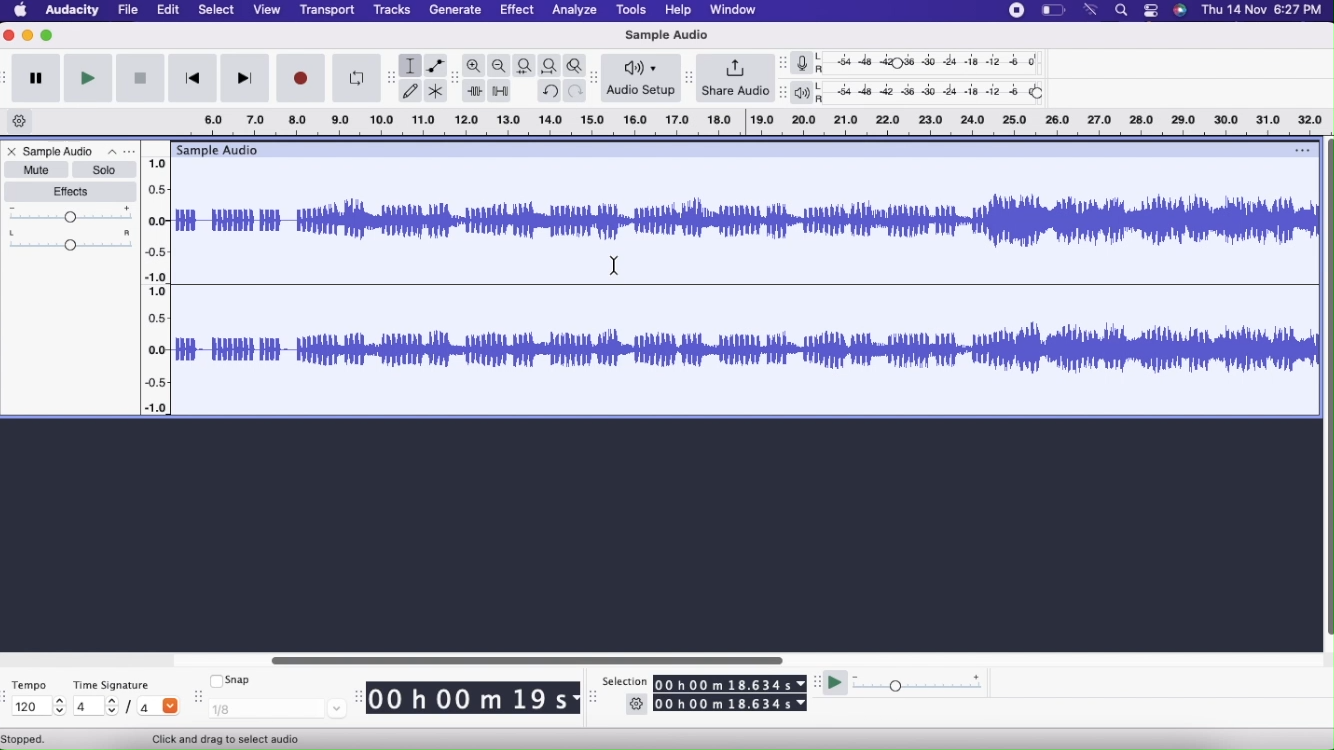 This screenshot has height=750, width=1334. What do you see at coordinates (679, 11) in the screenshot?
I see `Help` at bounding box center [679, 11].